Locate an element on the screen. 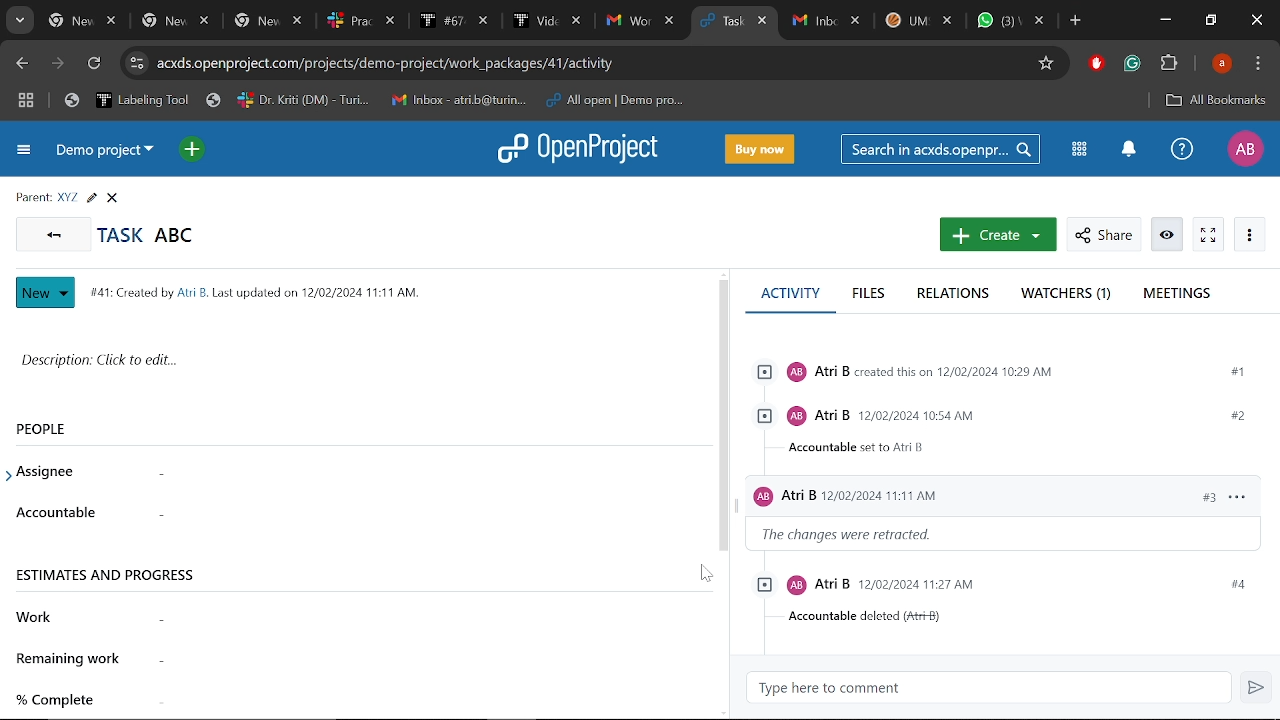 The image size is (1280, 720). Watchers is located at coordinates (1068, 295).